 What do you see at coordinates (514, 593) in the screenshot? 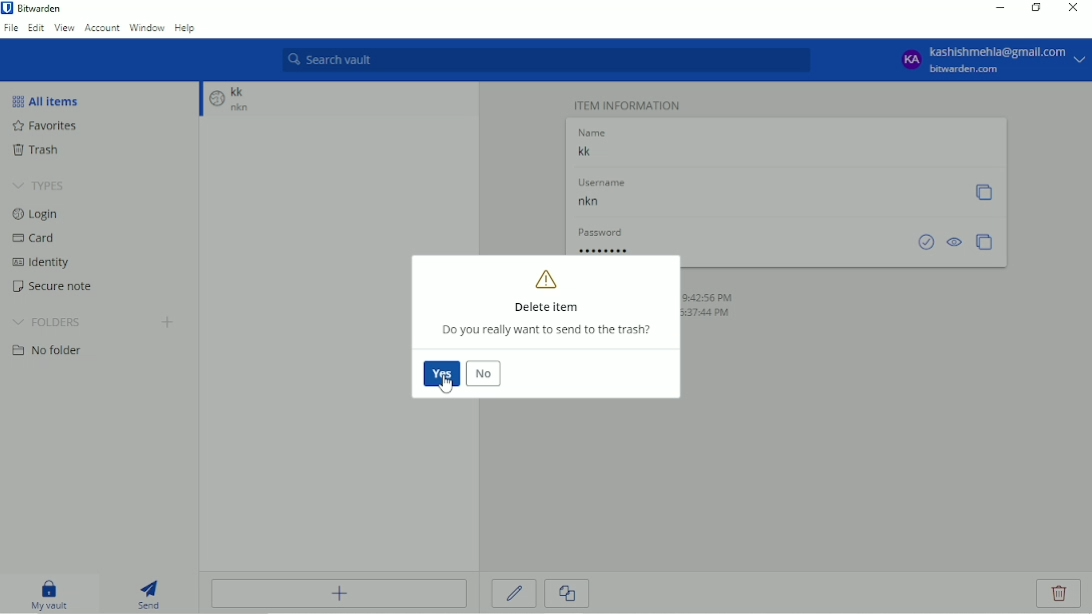
I see `Edit` at bounding box center [514, 593].